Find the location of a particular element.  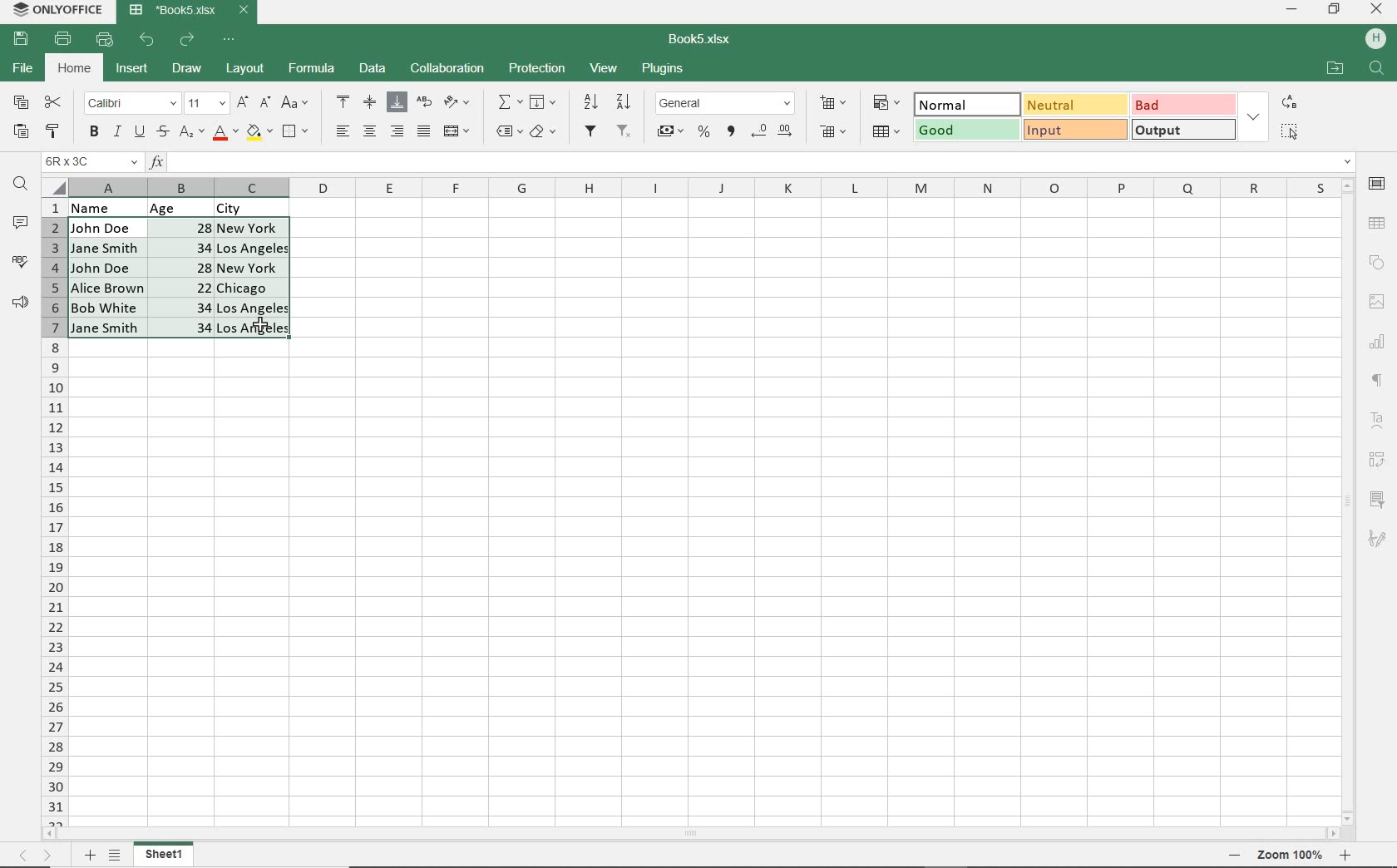

DRAW is located at coordinates (188, 68).